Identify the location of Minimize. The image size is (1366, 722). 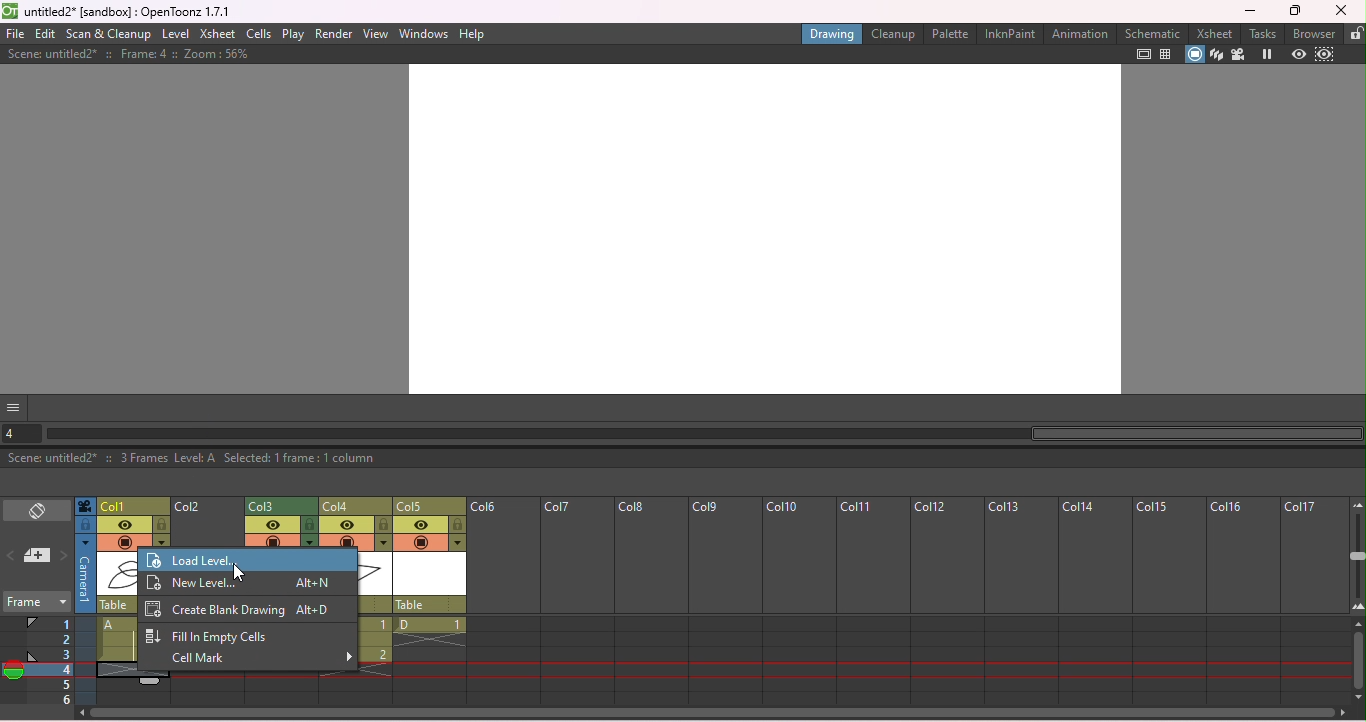
(1250, 10).